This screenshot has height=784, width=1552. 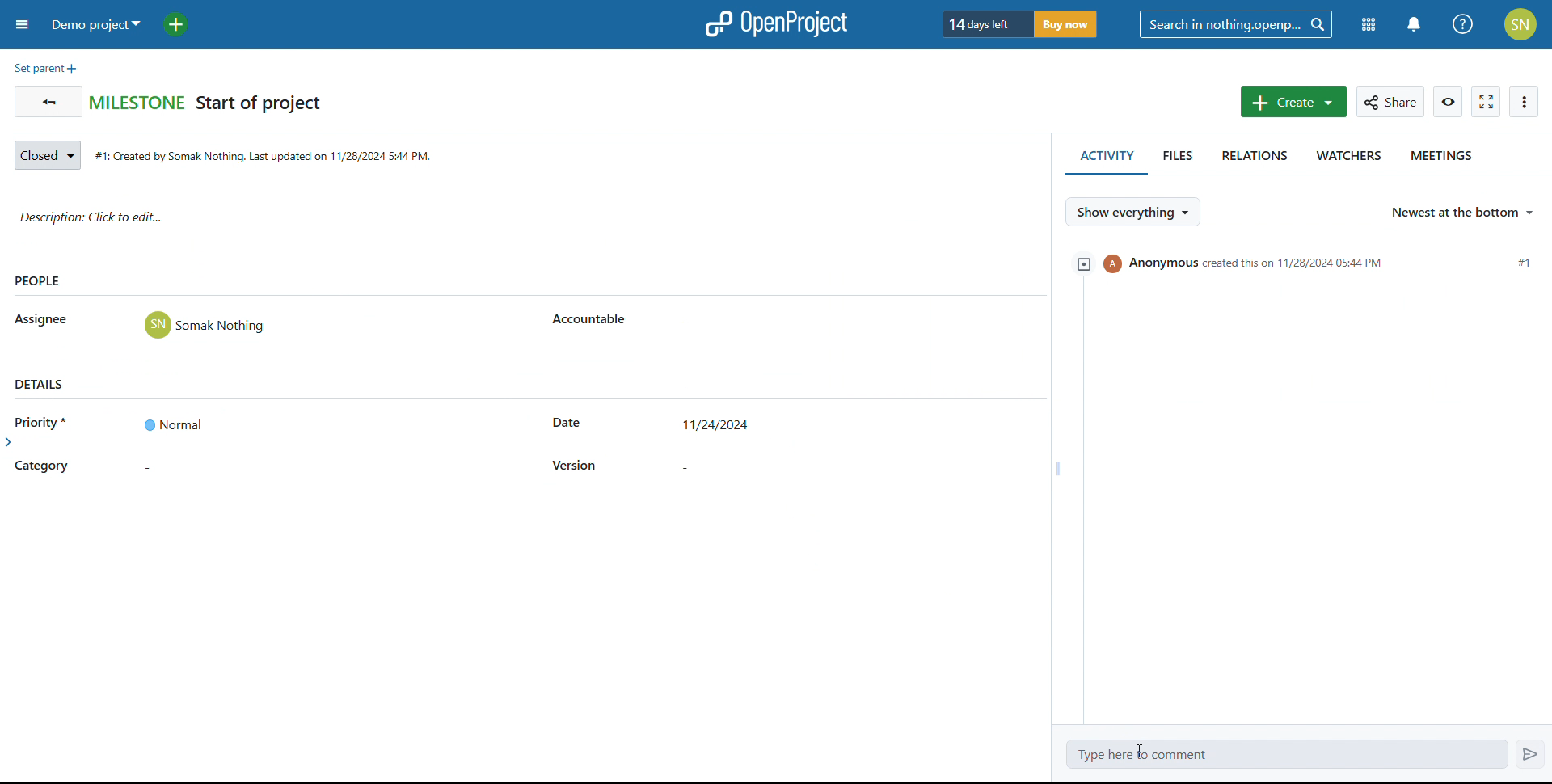 What do you see at coordinates (182, 24) in the screenshot?
I see `add project` at bounding box center [182, 24].